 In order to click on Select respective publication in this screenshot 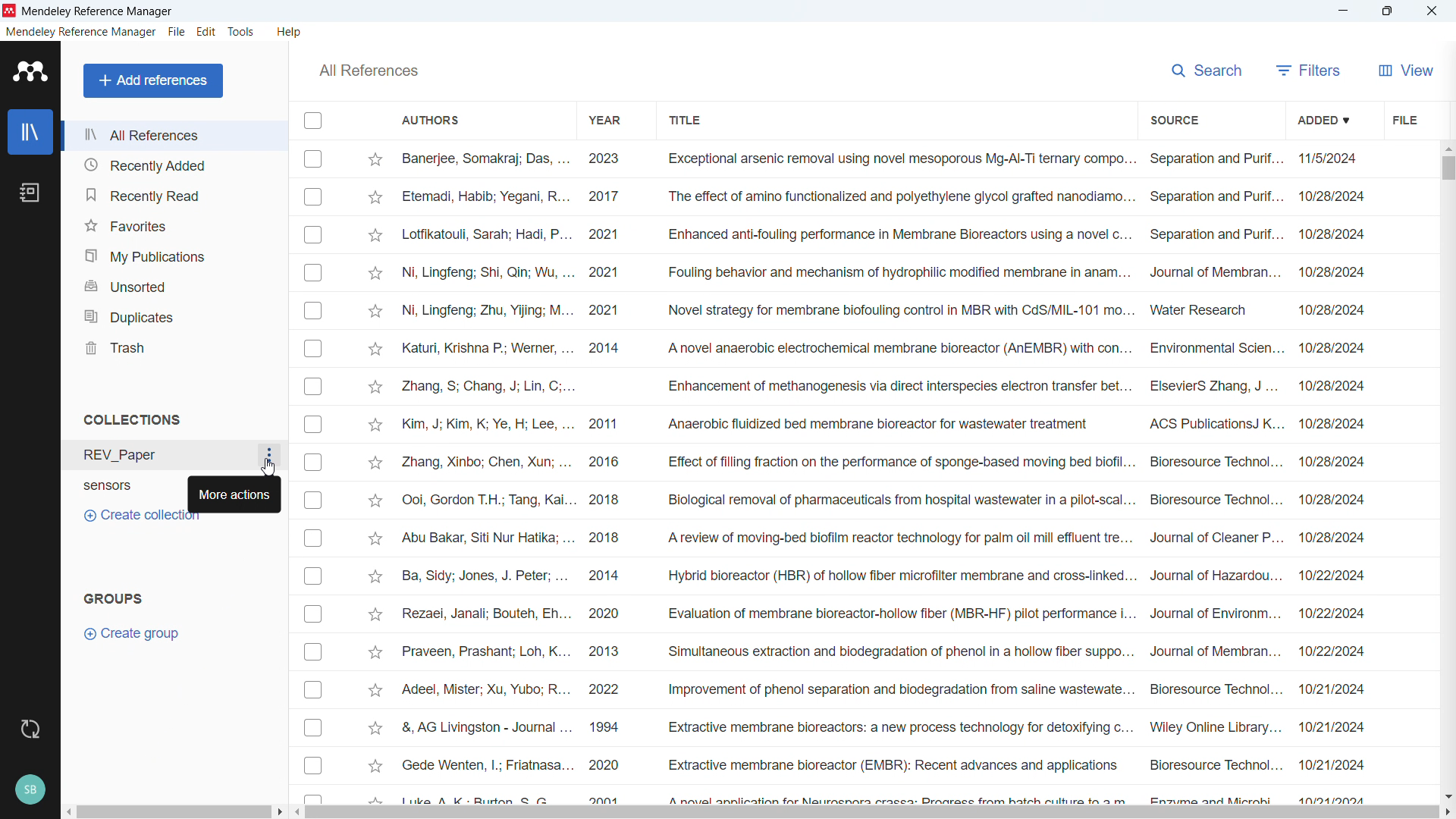, I will do `click(313, 614)`.